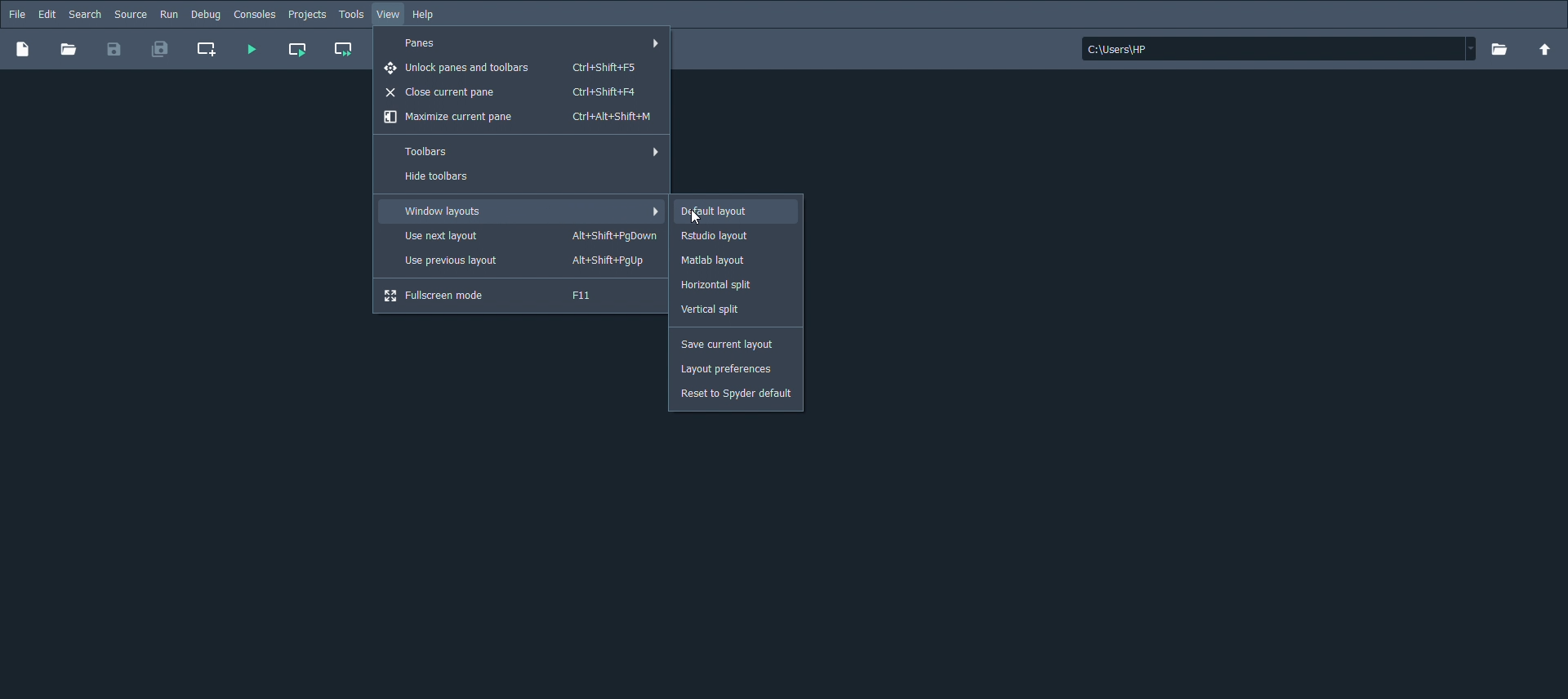  I want to click on Search, so click(84, 14).